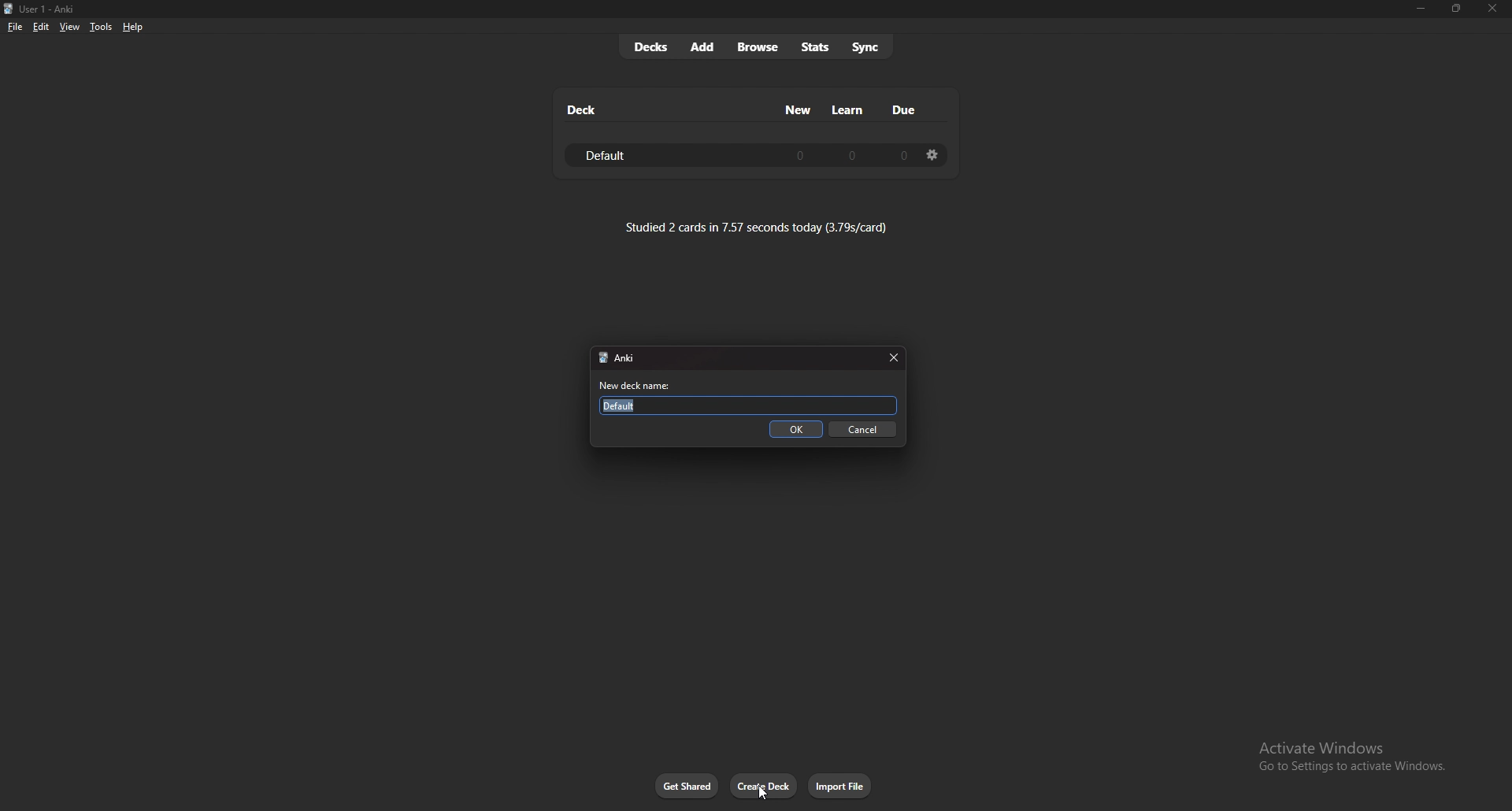 The height and width of the screenshot is (811, 1512). I want to click on 0, so click(902, 155).